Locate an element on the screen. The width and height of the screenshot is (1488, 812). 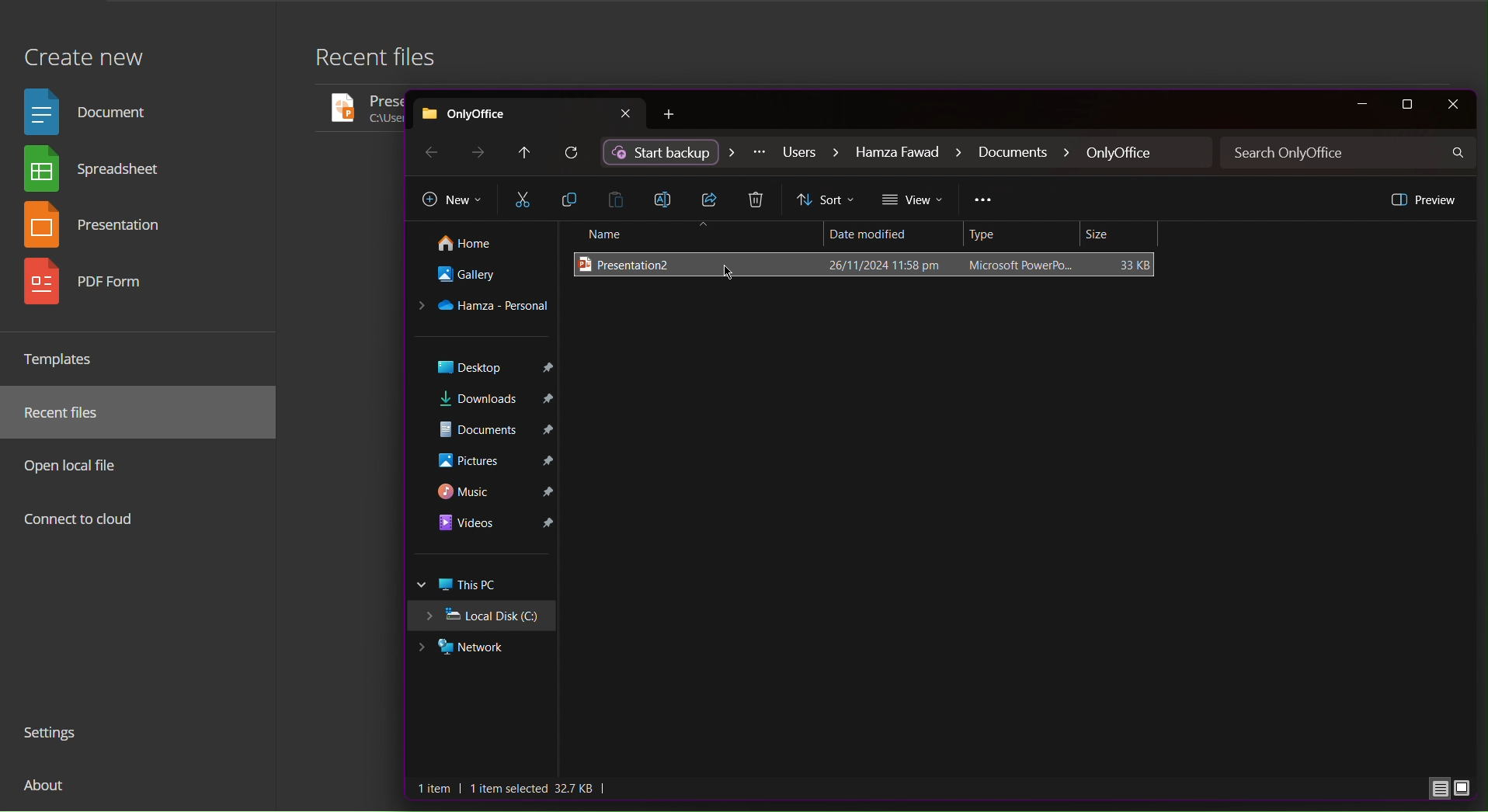
Close is located at coordinates (1452, 105).